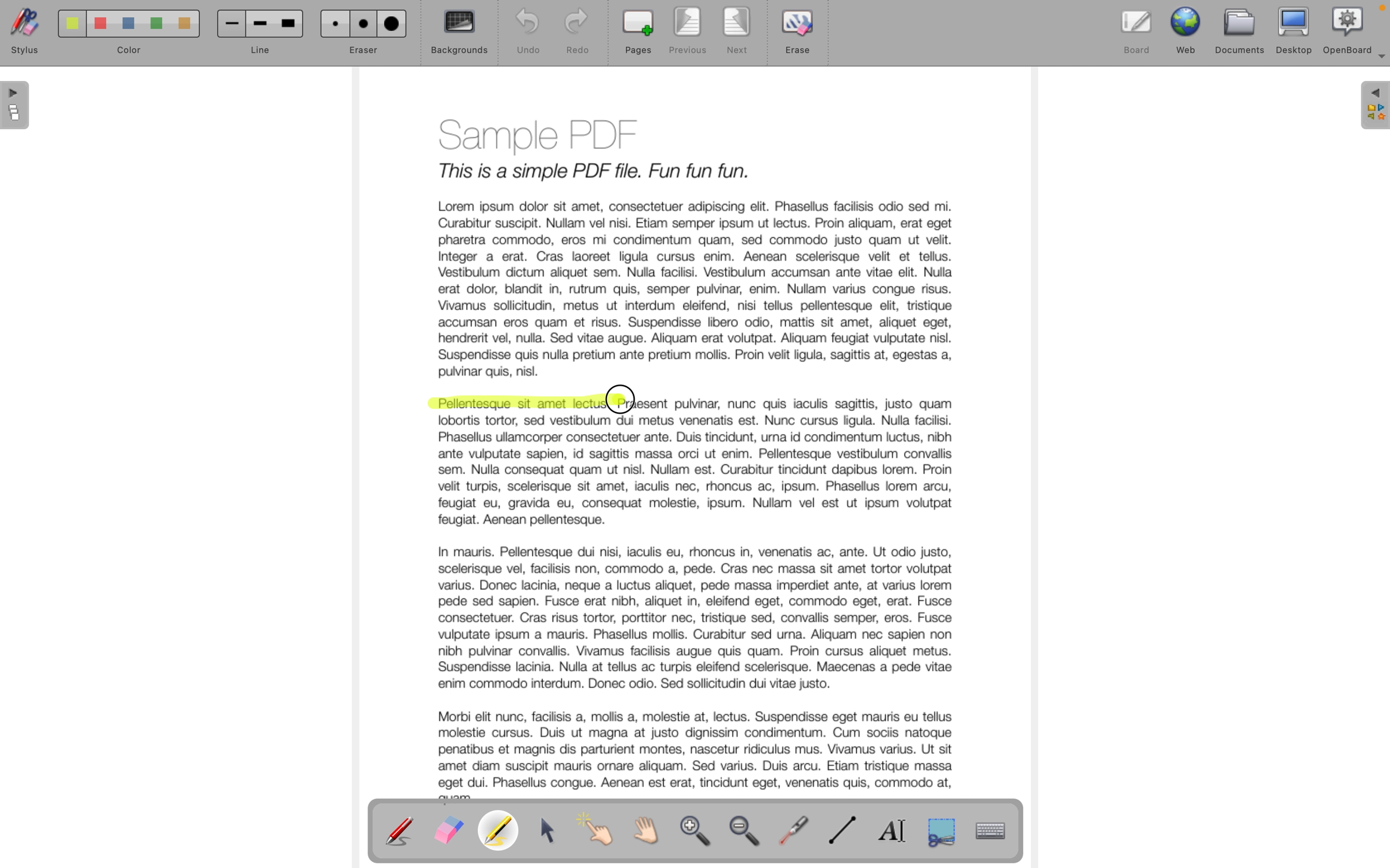 The height and width of the screenshot is (868, 1390). I want to click on eraser, so click(362, 33).